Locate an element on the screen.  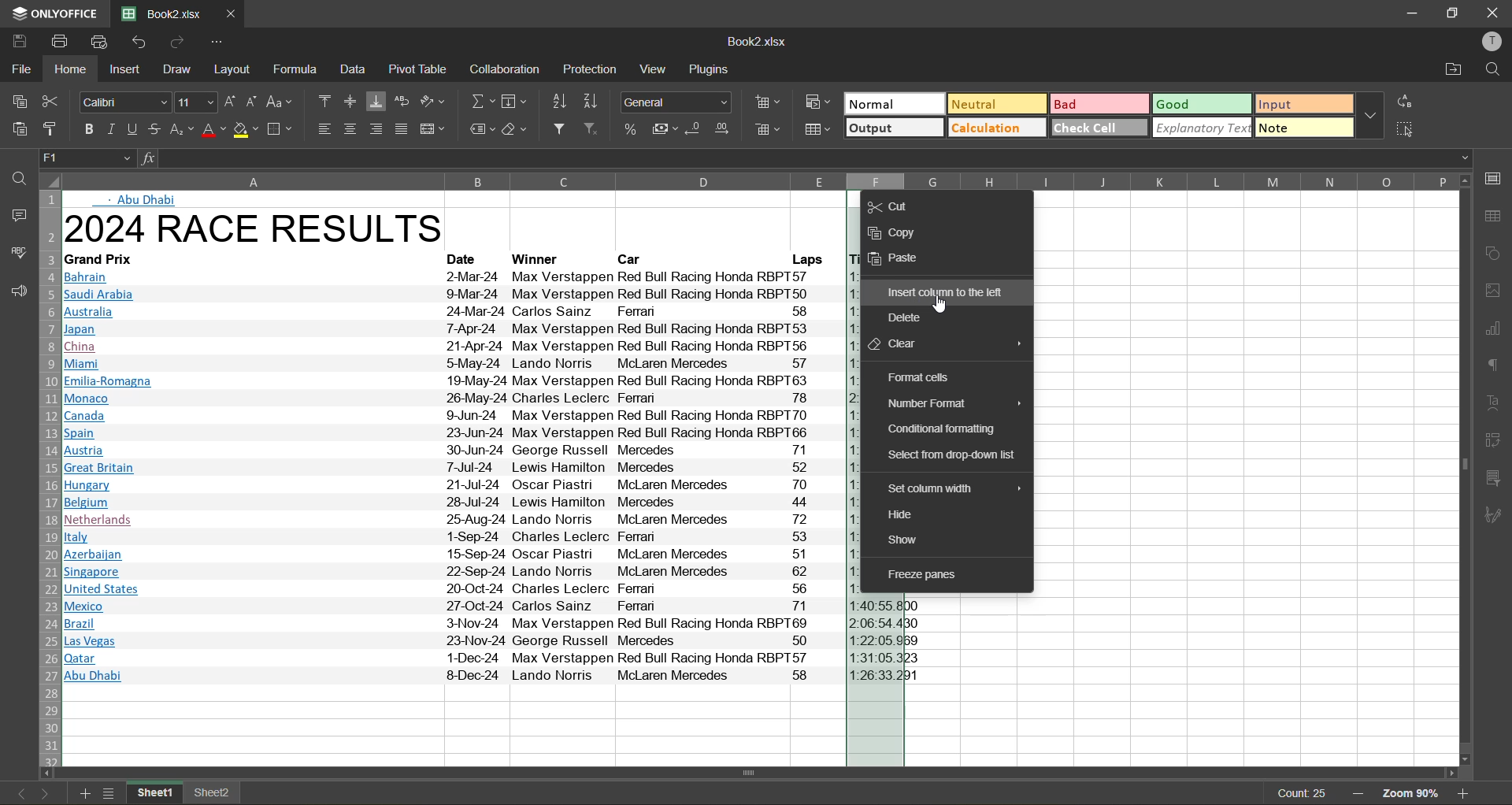
zoom in is located at coordinates (1466, 793).